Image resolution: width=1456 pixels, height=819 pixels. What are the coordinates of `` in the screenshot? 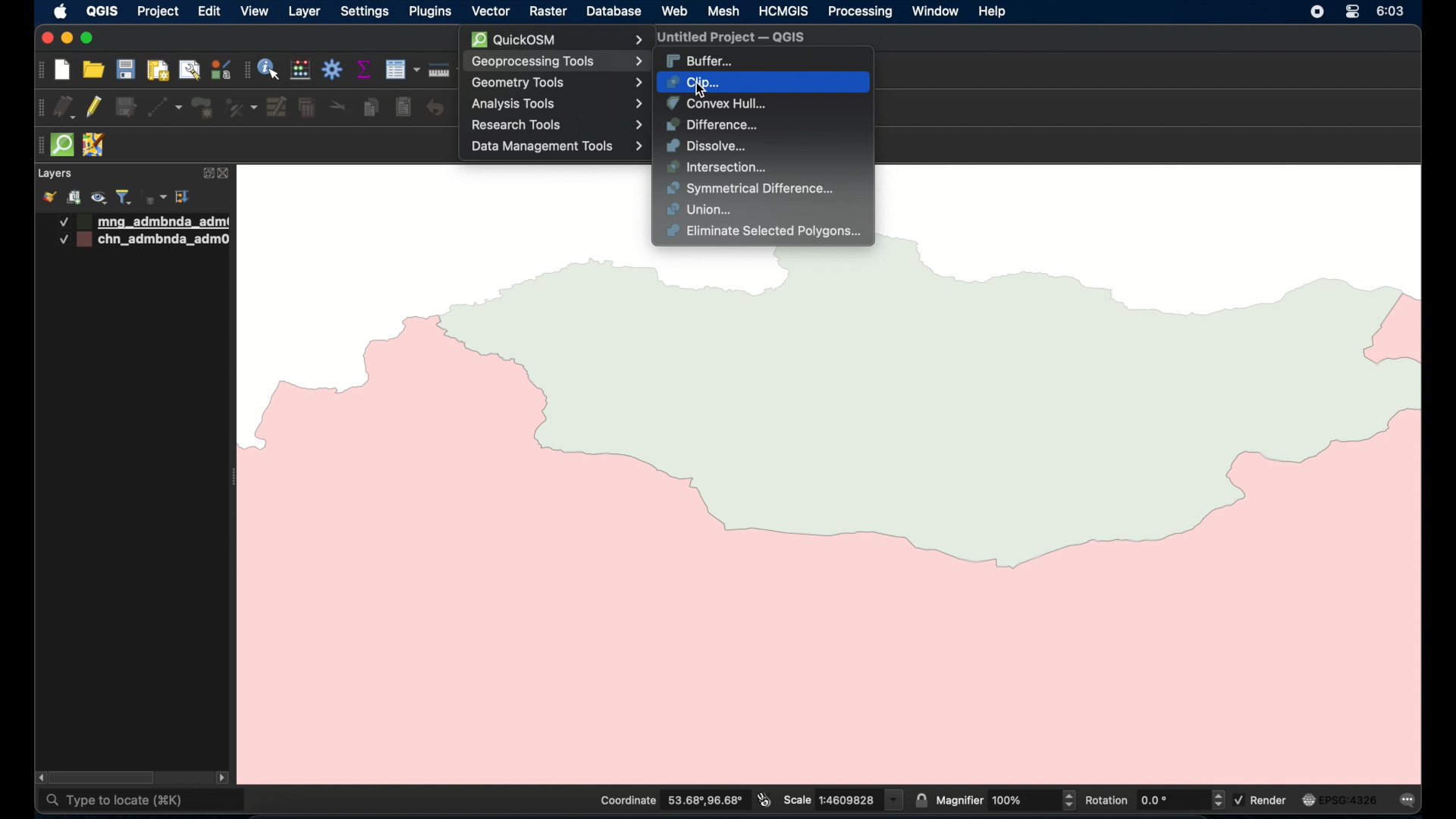 It's located at (268, 71).